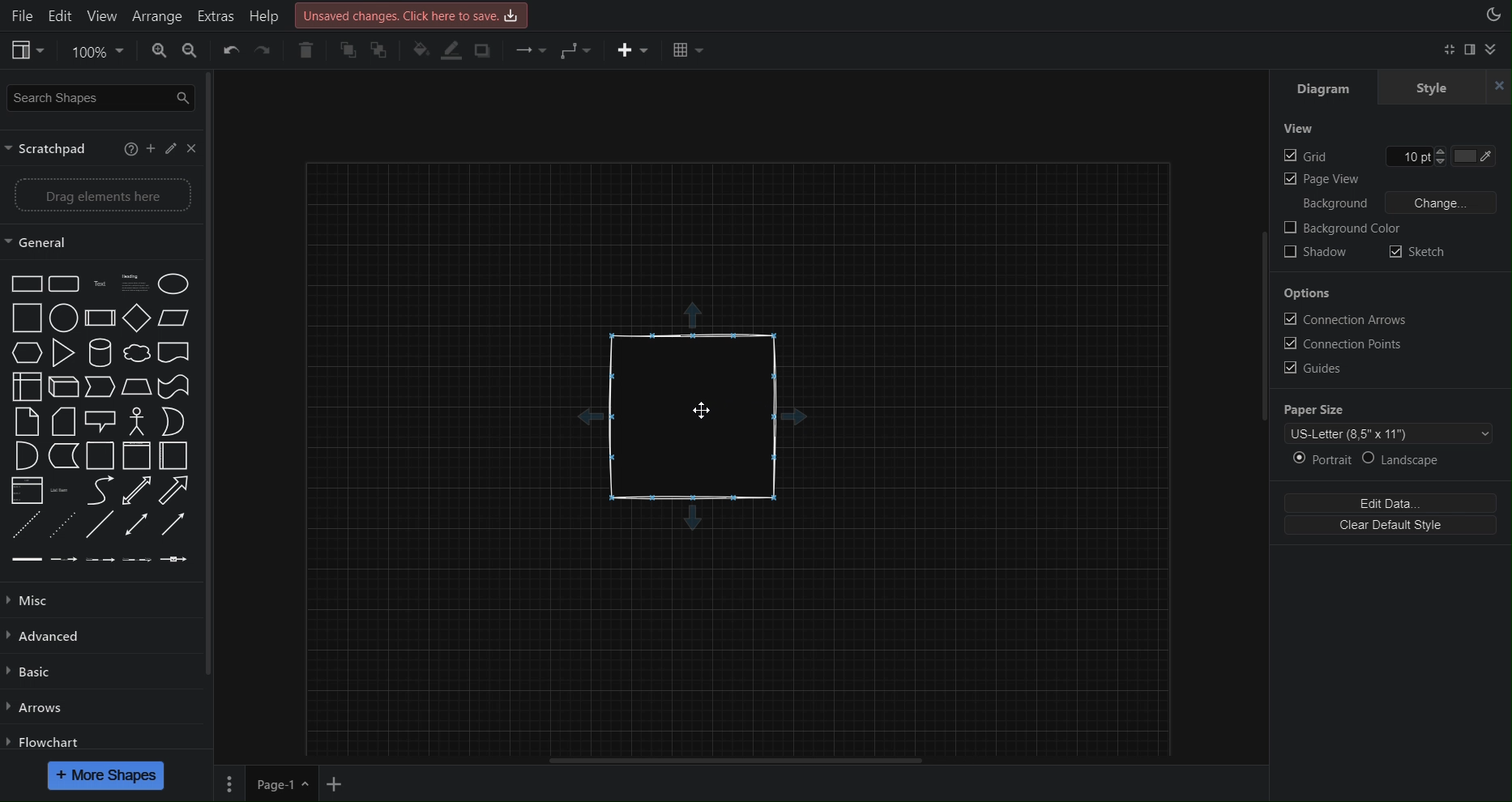 This screenshot has height=802, width=1512. What do you see at coordinates (98, 195) in the screenshot?
I see `Drag elements here` at bounding box center [98, 195].